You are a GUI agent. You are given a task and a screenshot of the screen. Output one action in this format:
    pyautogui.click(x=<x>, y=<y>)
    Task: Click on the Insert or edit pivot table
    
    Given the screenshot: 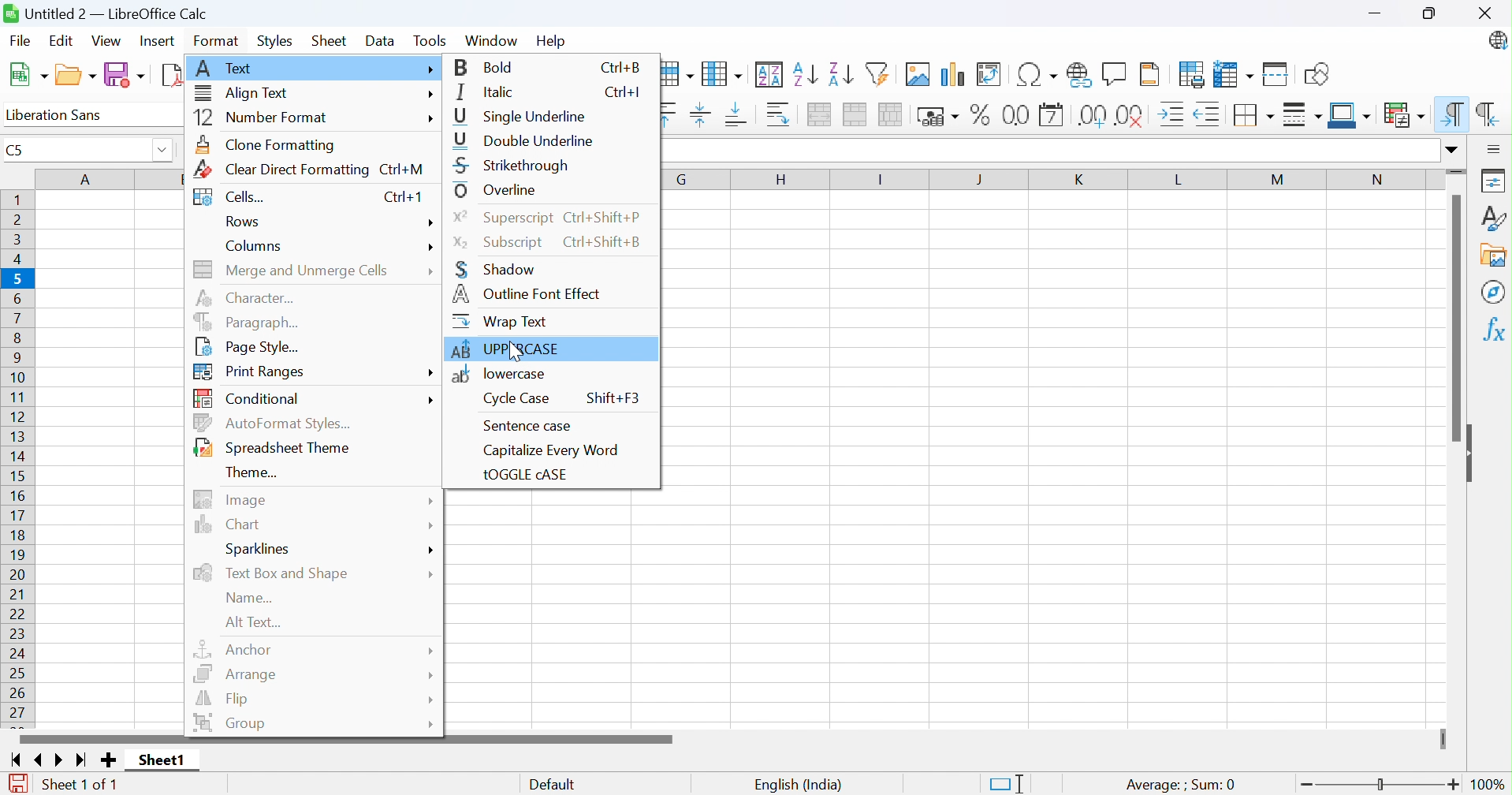 What is the action you would take?
    pyautogui.click(x=989, y=74)
    